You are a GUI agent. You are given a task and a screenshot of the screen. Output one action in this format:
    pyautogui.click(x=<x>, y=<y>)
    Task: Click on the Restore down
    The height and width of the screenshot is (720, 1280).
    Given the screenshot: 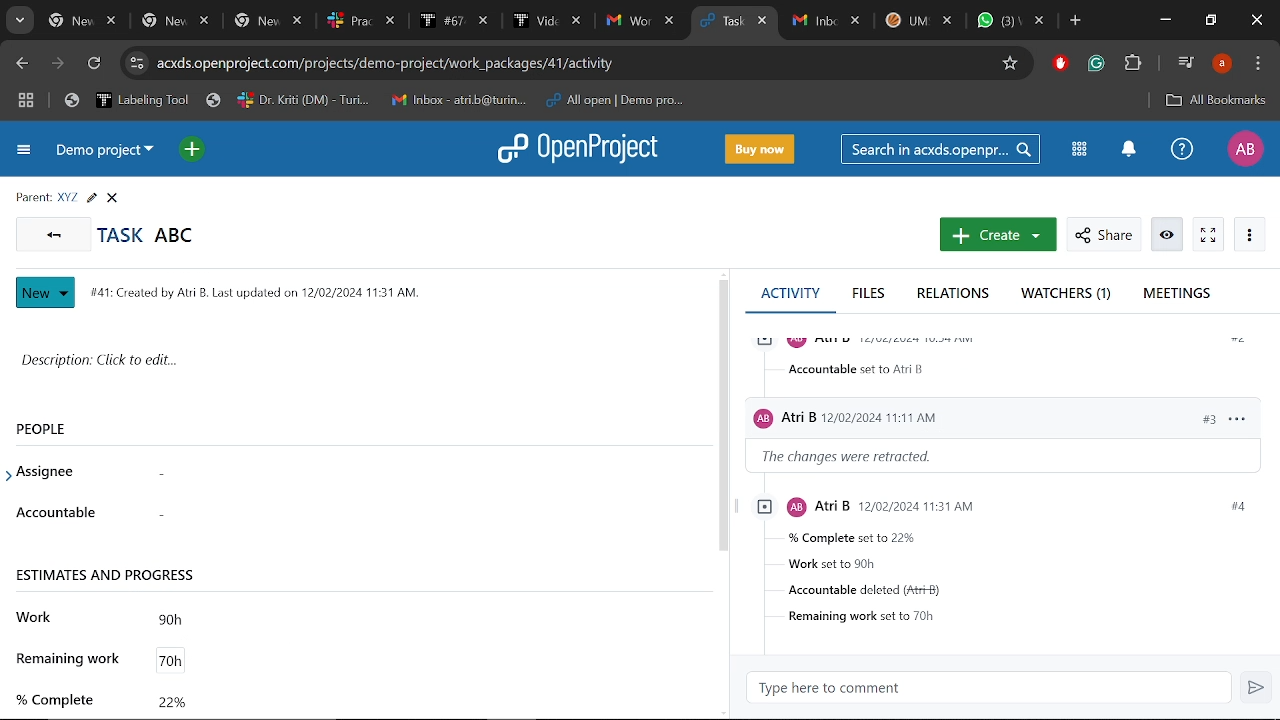 What is the action you would take?
    pyautogui.click(x=1212, y=22)
    